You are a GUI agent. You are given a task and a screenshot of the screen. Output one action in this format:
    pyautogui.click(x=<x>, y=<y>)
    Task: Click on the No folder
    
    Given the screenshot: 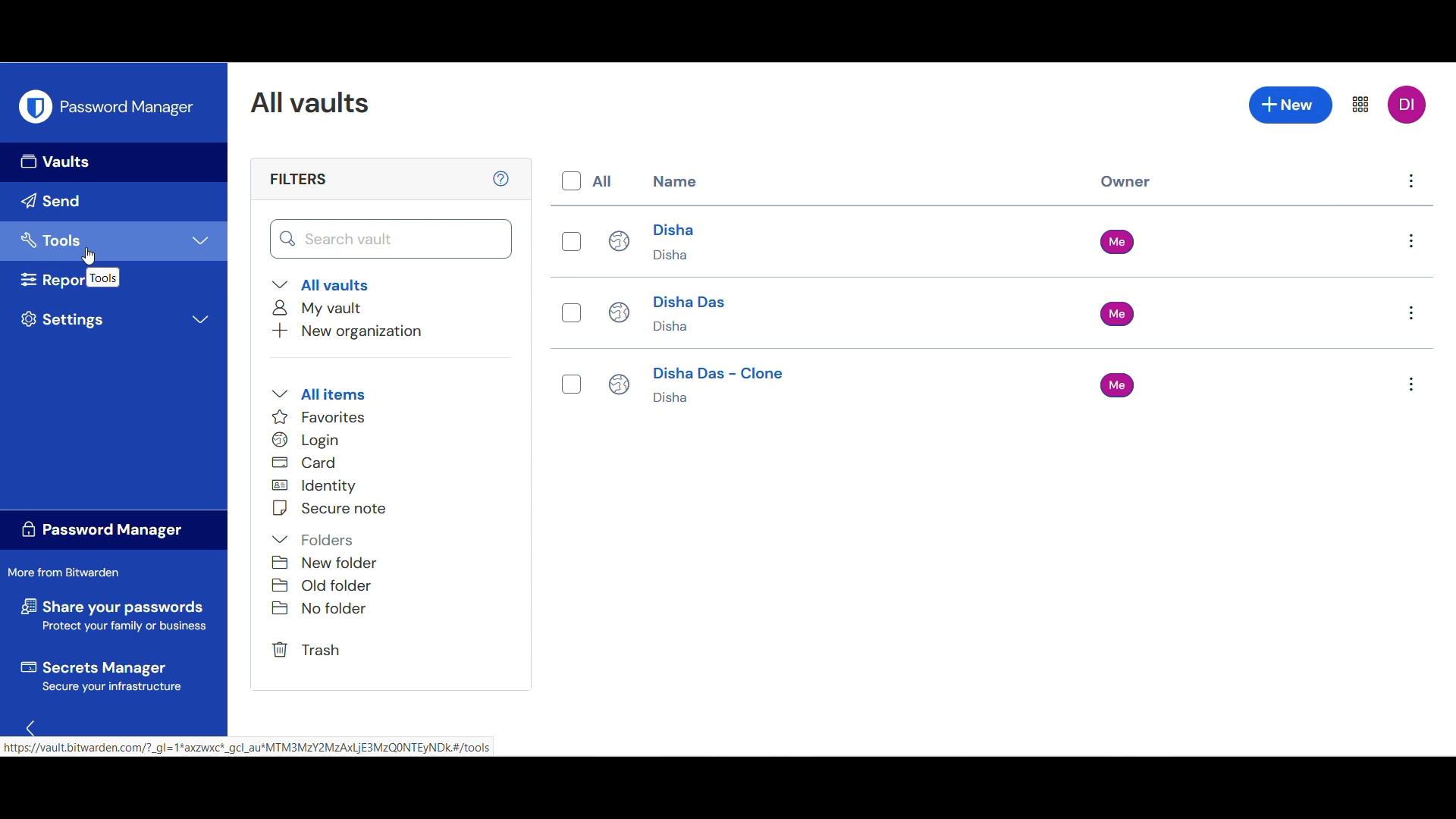 What is the action you would take?
    pyautogui.click(x=343, y=608)
    